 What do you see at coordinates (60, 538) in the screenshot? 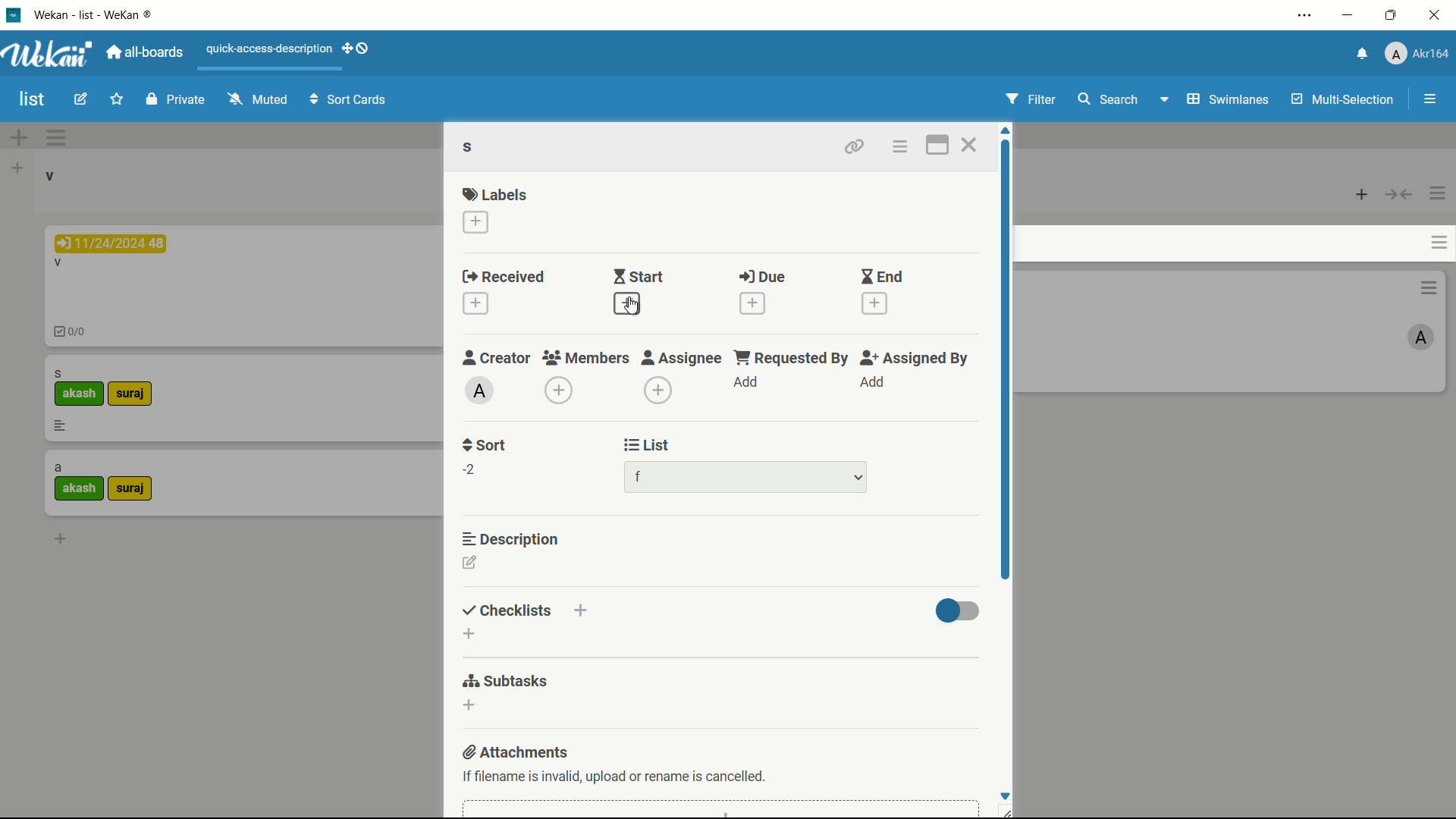
I see `add card bottom` at bounding box center [60, 538].